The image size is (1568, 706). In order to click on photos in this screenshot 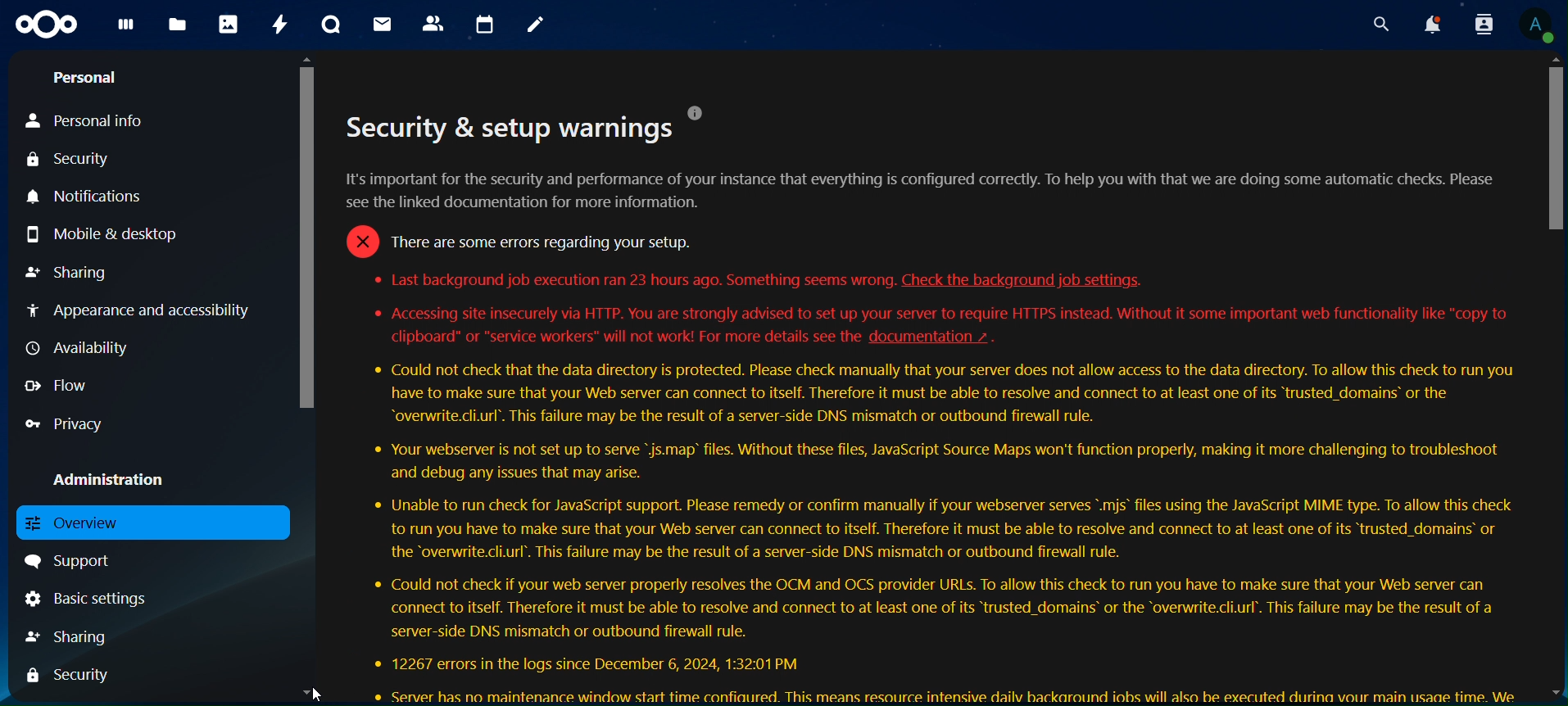, I will do `click(228, 24)`.